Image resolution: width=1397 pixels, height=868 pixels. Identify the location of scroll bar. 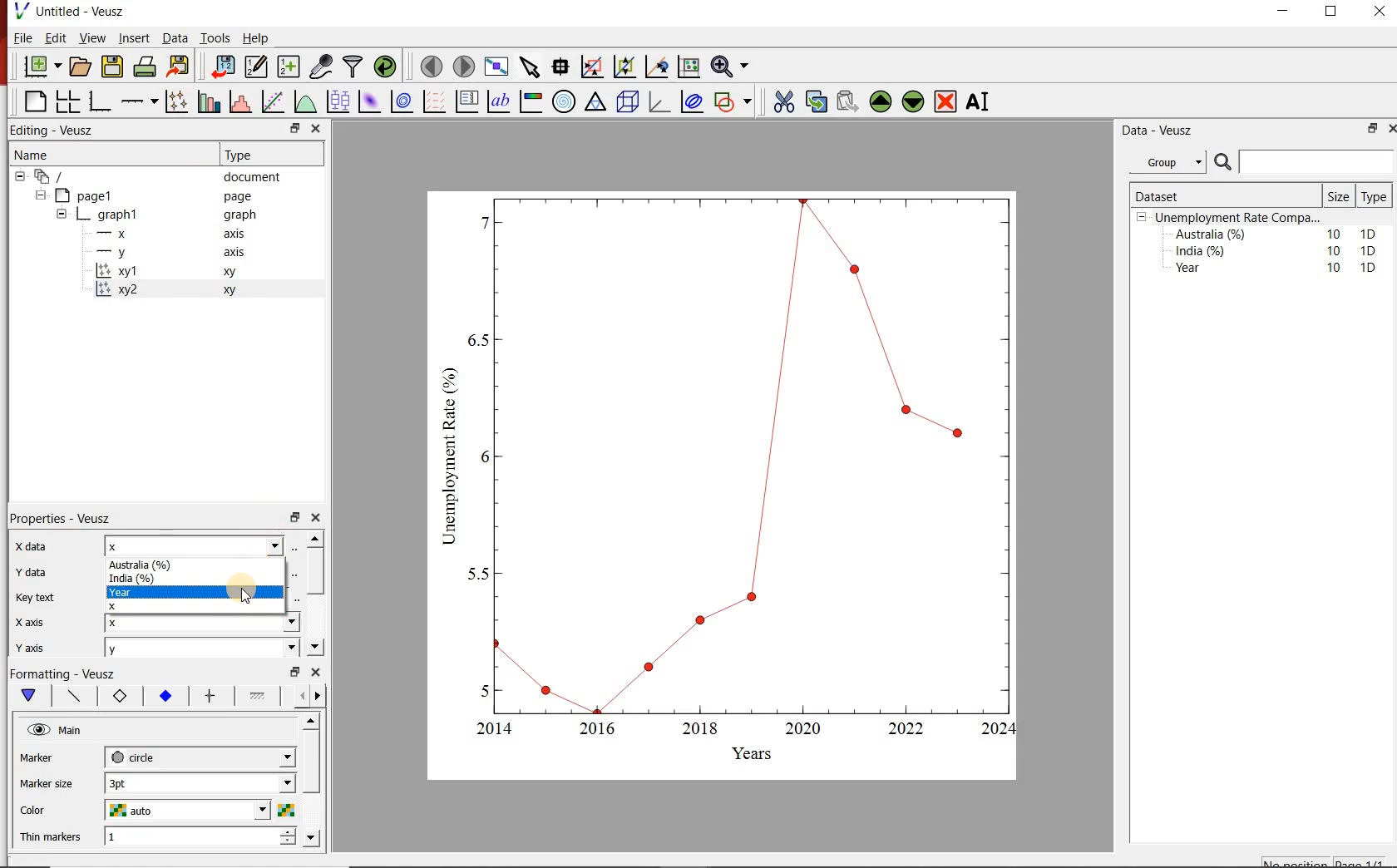
(312, 776).